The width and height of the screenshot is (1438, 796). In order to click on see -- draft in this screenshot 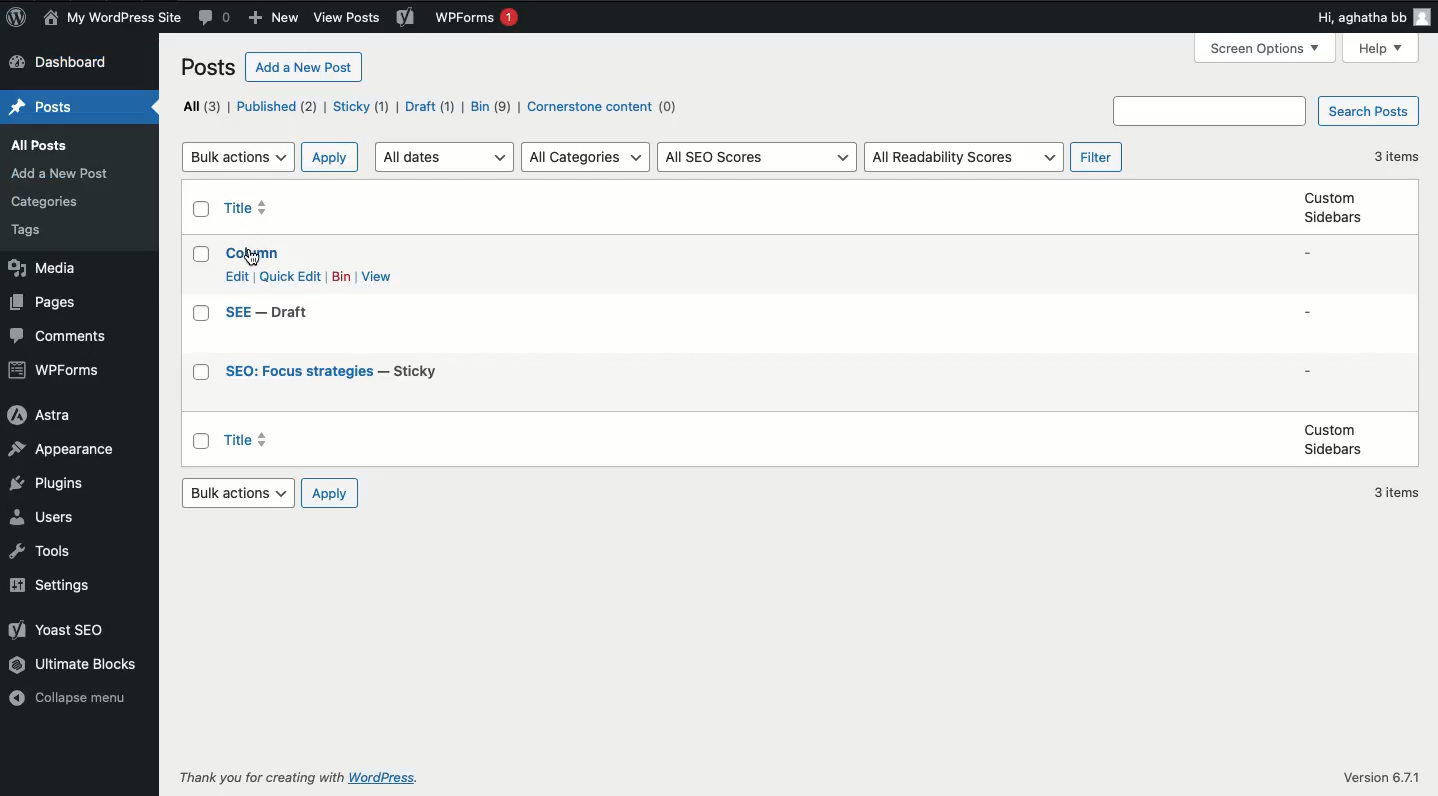, I will do `click(269, 313)`.